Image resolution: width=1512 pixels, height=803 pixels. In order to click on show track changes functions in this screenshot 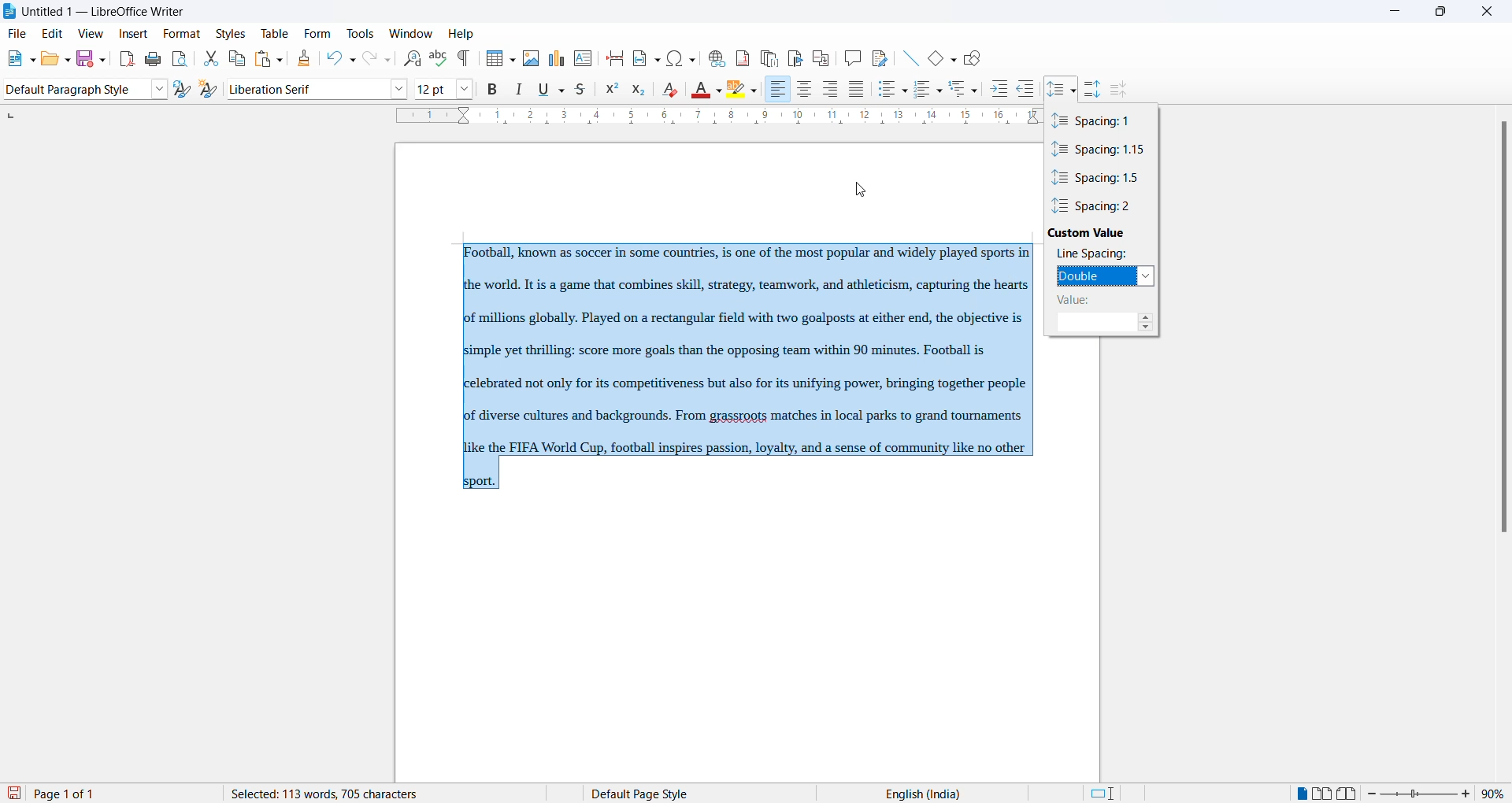, I will do `click(880, 58)`.